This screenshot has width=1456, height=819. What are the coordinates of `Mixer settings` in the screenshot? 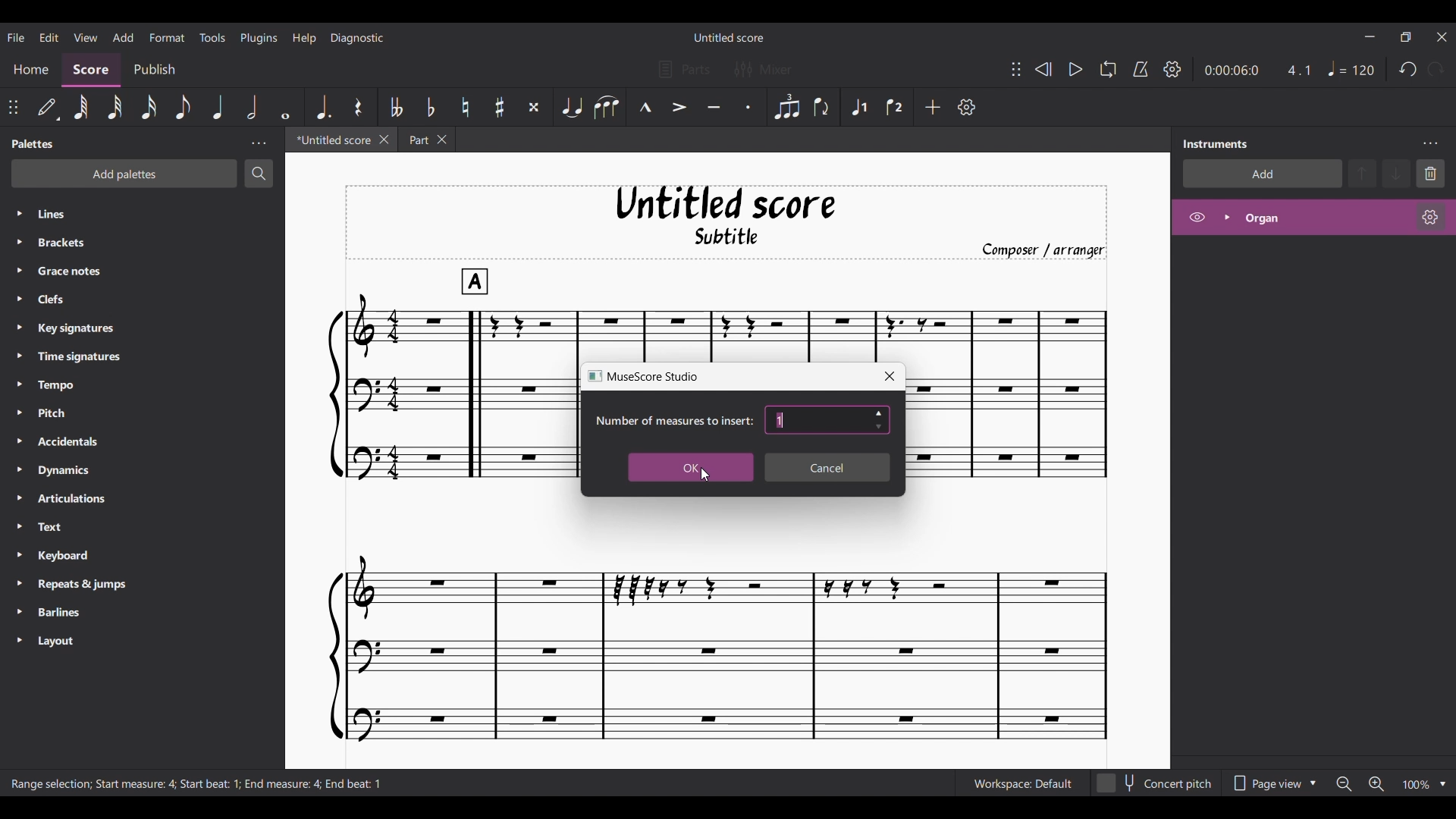 It's located at (763, 70).